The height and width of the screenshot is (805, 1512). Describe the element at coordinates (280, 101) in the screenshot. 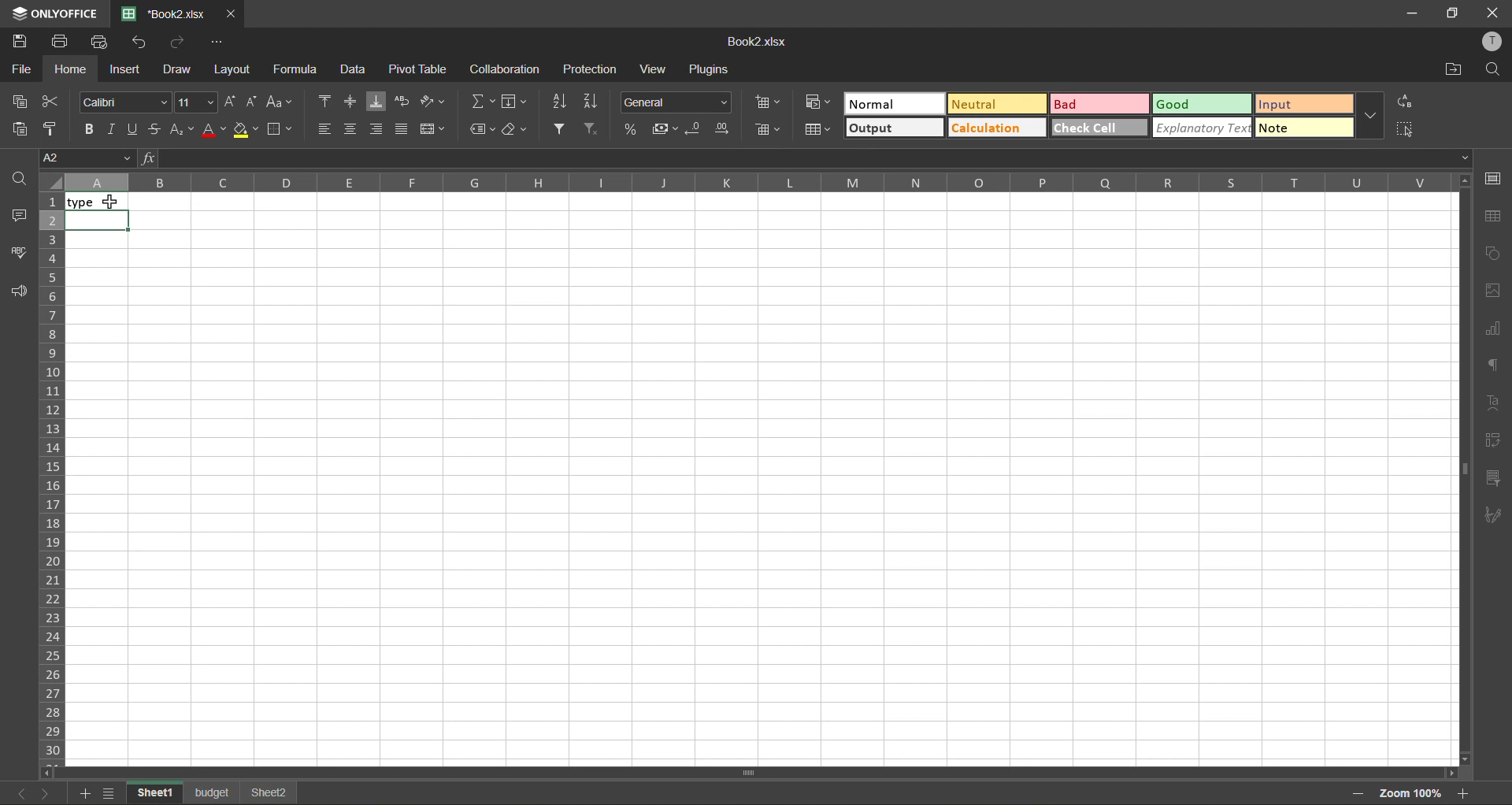

I see `change case` at that location.